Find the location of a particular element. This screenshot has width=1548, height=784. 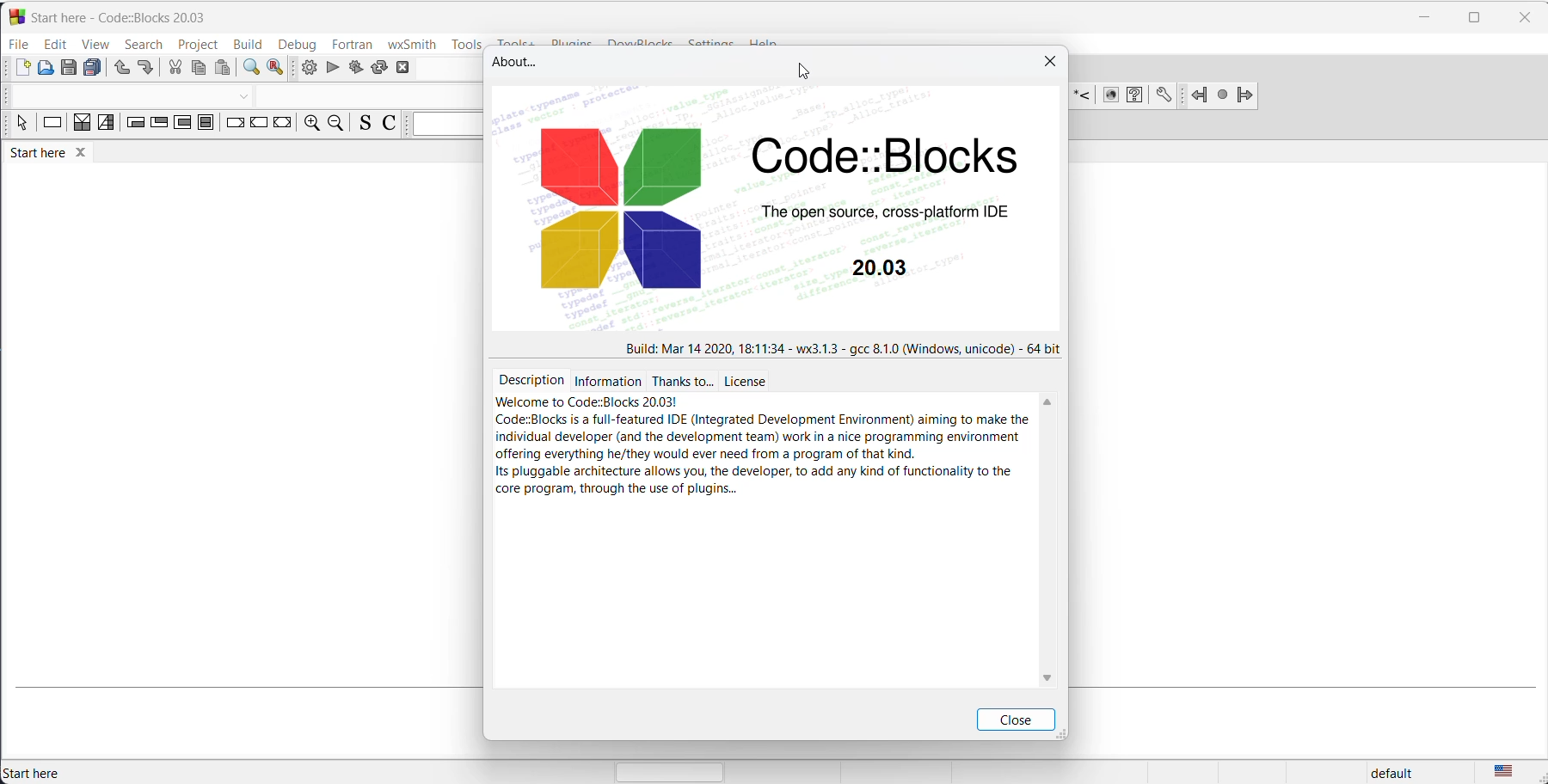

icon is located at coordinates (1110, 96).